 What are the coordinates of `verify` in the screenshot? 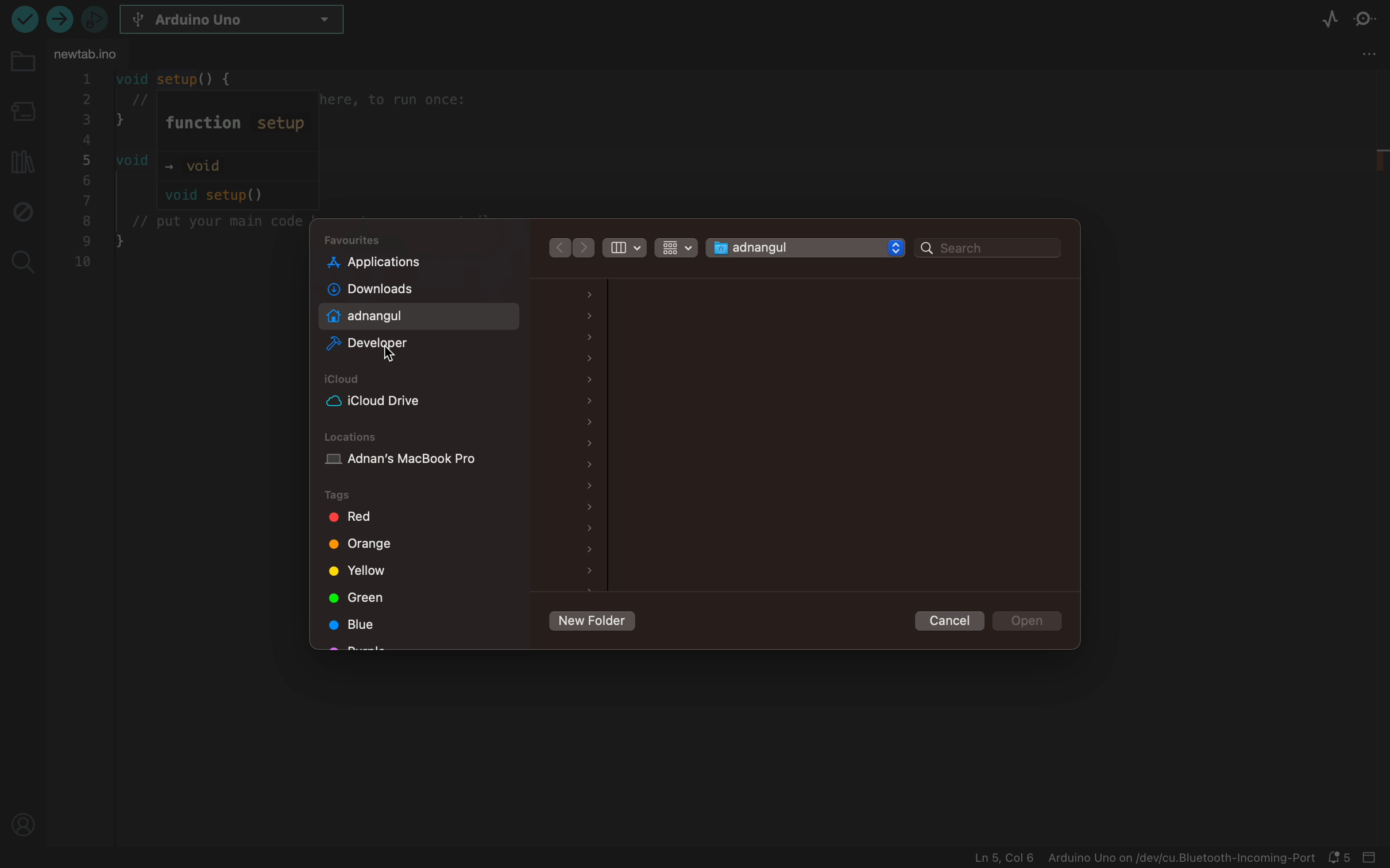 It's located at (60, 19).